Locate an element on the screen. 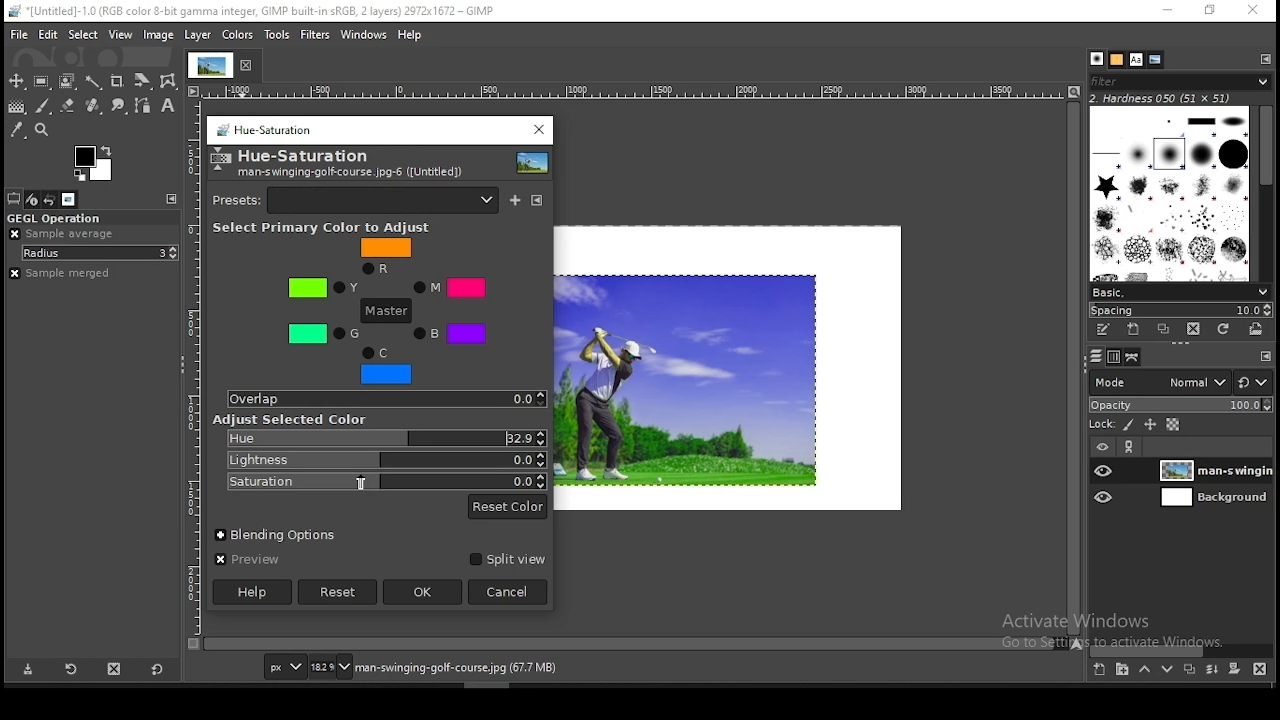  C is located at coordinates (386, 366).